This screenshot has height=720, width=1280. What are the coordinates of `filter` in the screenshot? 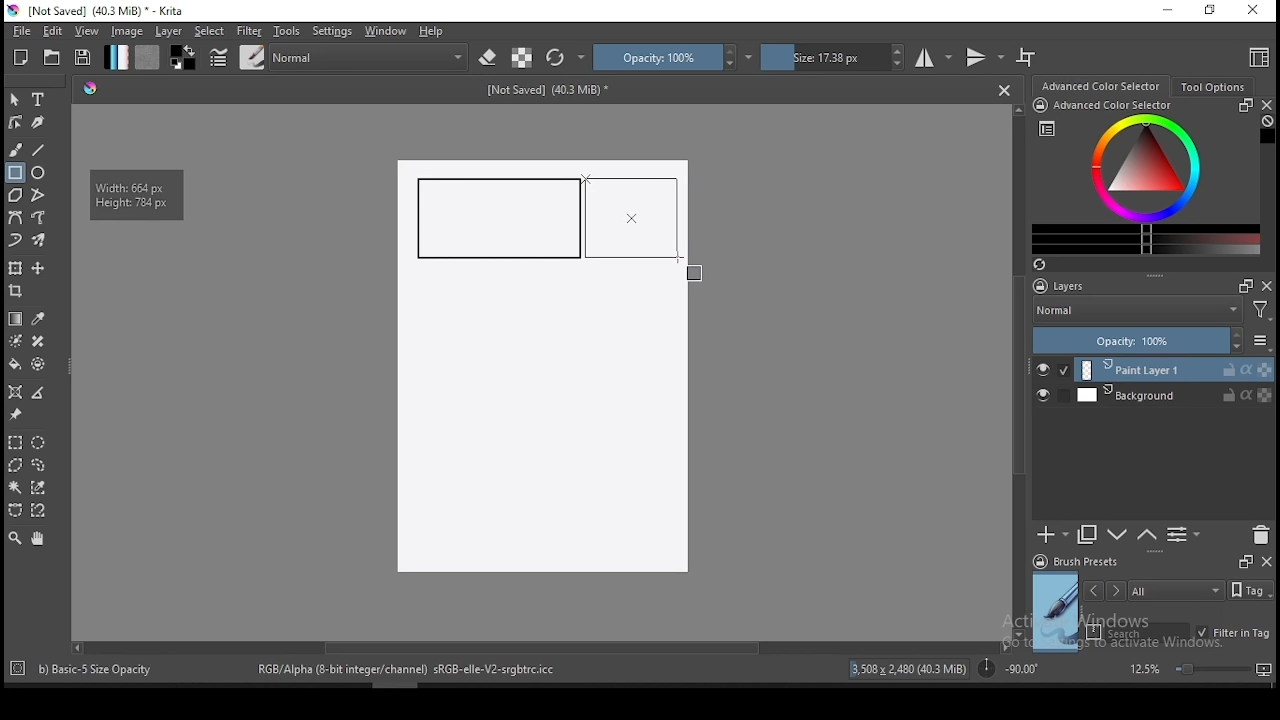 It's located at (248, 31).